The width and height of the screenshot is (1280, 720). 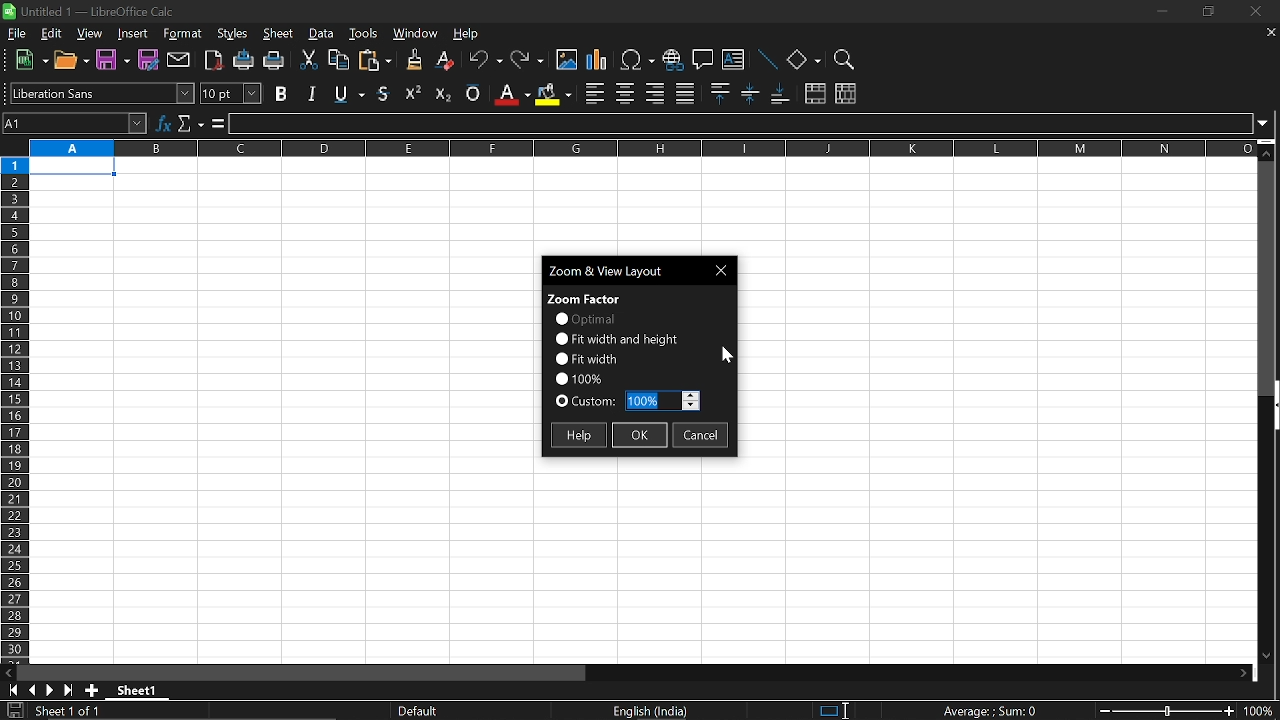 What do you see at coordinates (701, 437) in the screenshot?
I see `cancel` at bounding box center [701, 437].